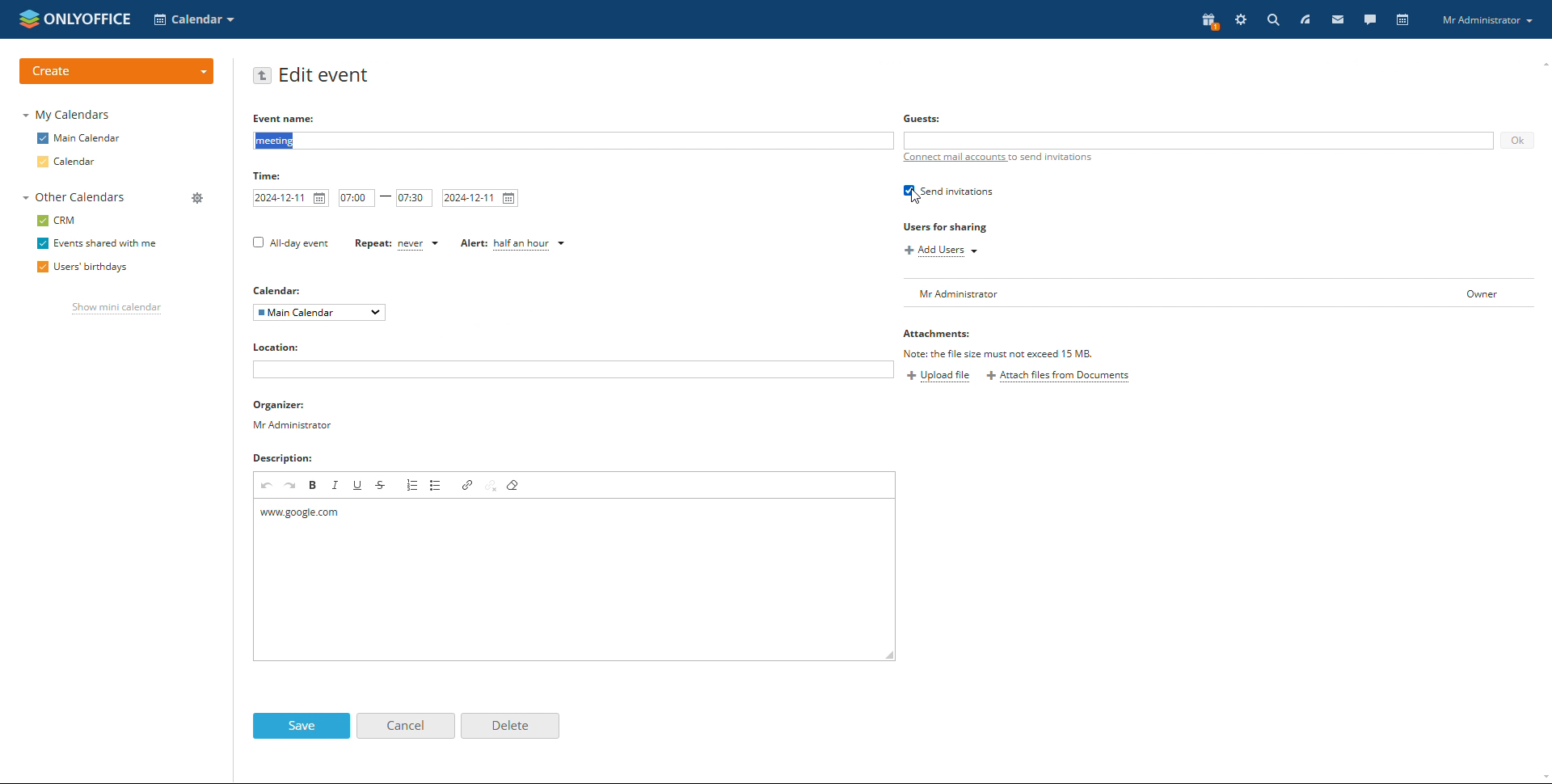  What do you see at coordinates (268, 486) in the screenshot?
I see `undo` at bounding box center [268, 486].